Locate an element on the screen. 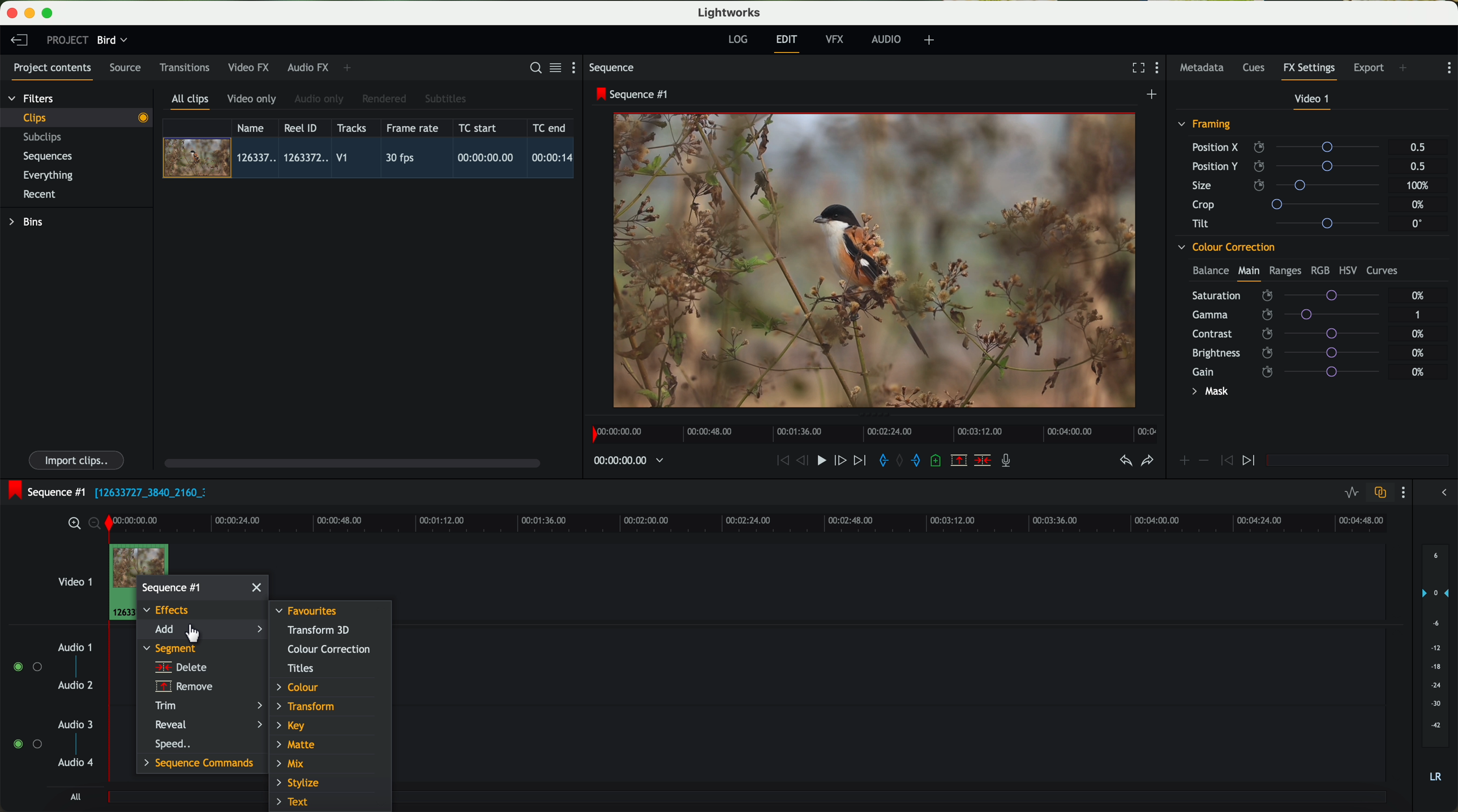  drag video to video track 1 is located at coordinates (144, 558).